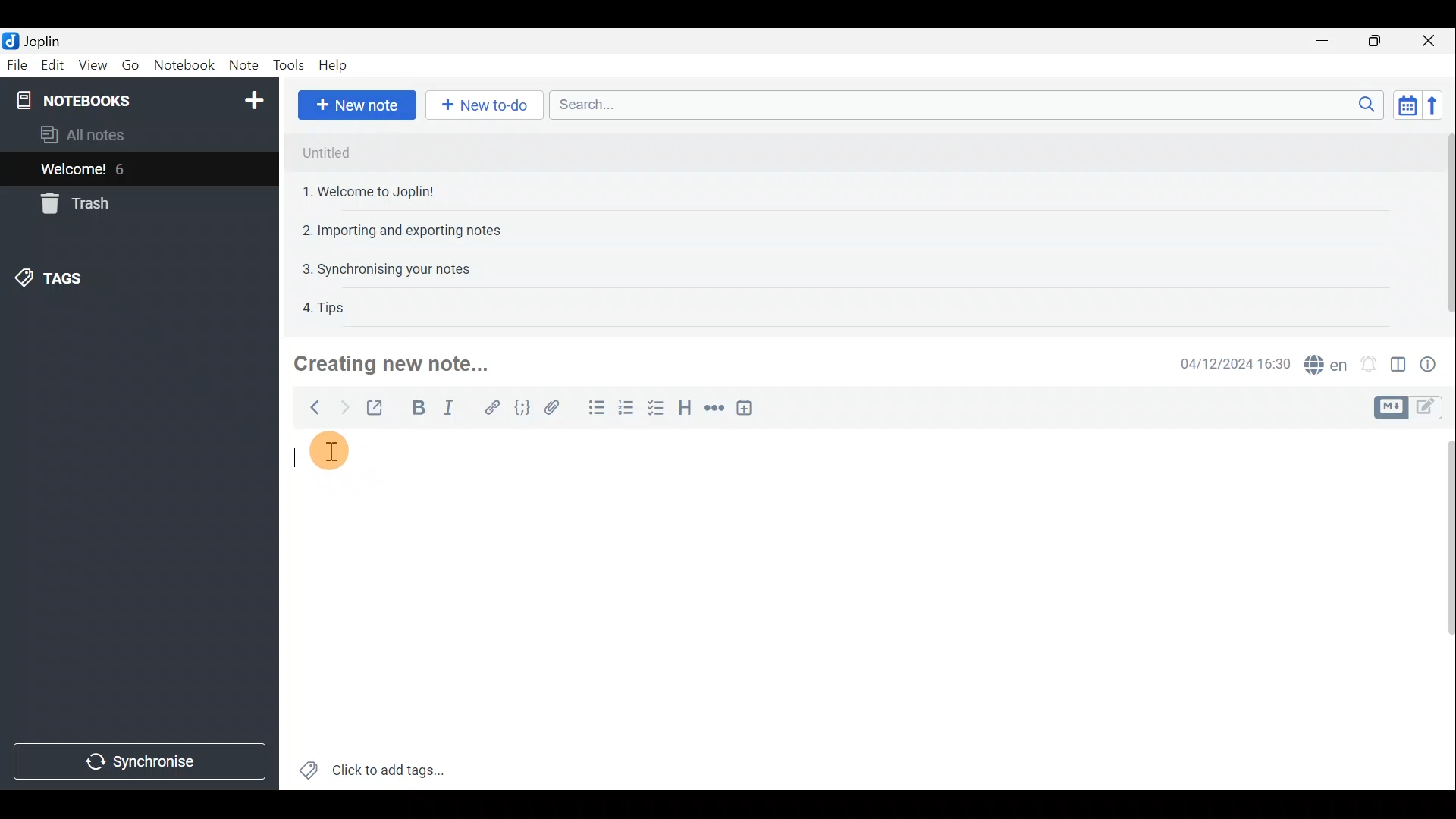 This screenshot has height=819, width=1456. I want to click on Heading, so click(683, 413).